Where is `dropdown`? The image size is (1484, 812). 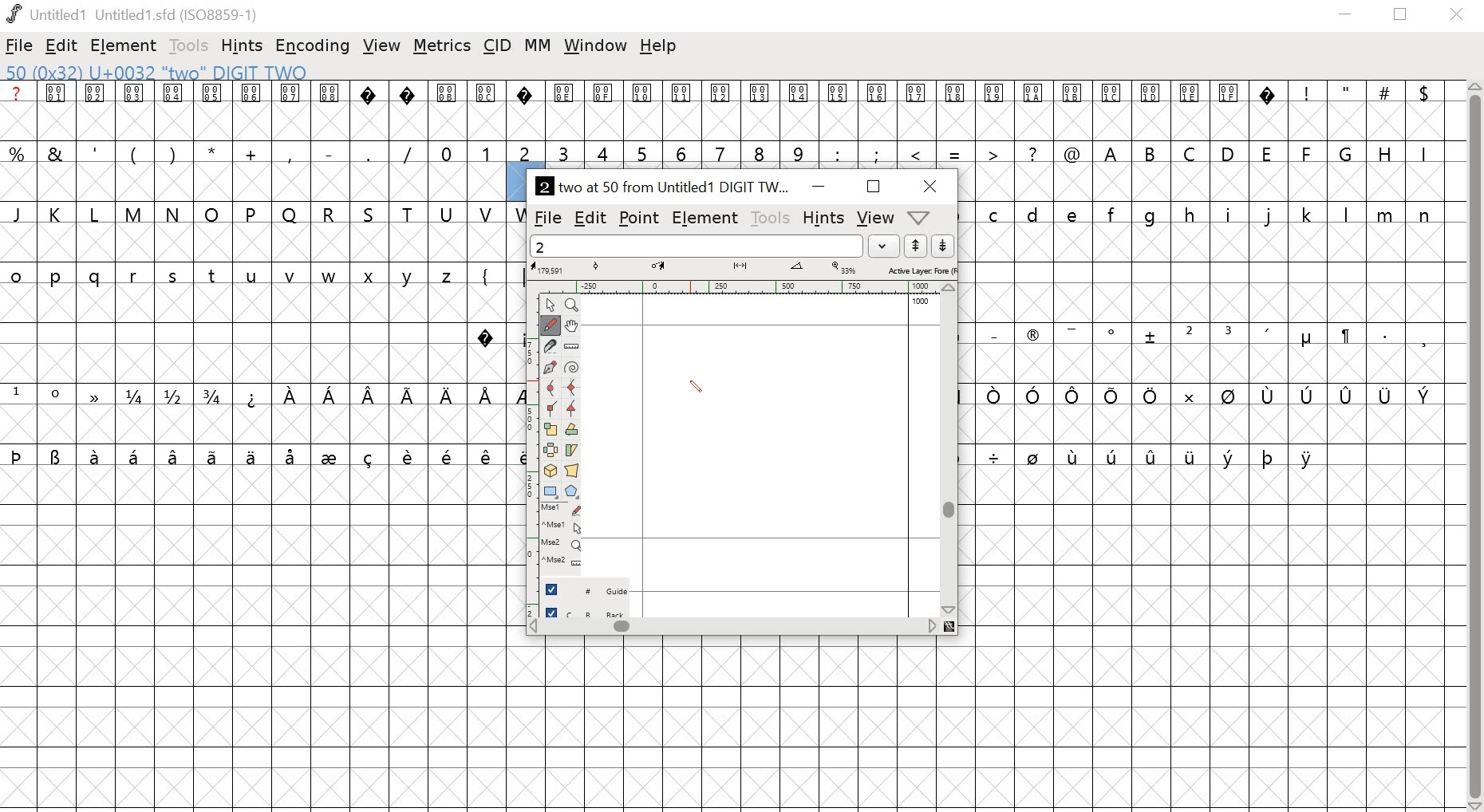 dropdown is located at coordinates (884, 246).